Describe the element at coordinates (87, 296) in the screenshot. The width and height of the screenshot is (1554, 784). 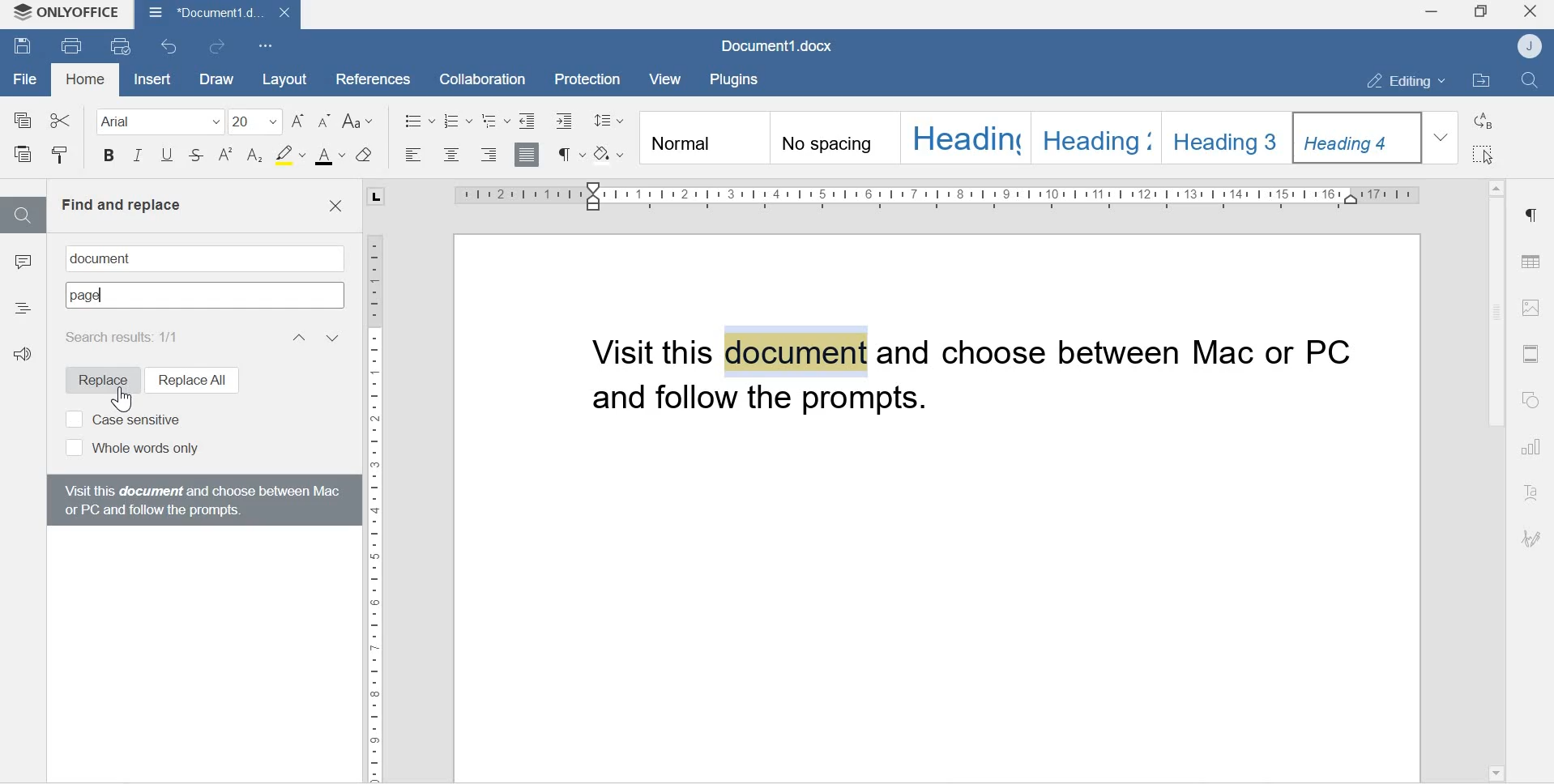
I see `Text` at that location.